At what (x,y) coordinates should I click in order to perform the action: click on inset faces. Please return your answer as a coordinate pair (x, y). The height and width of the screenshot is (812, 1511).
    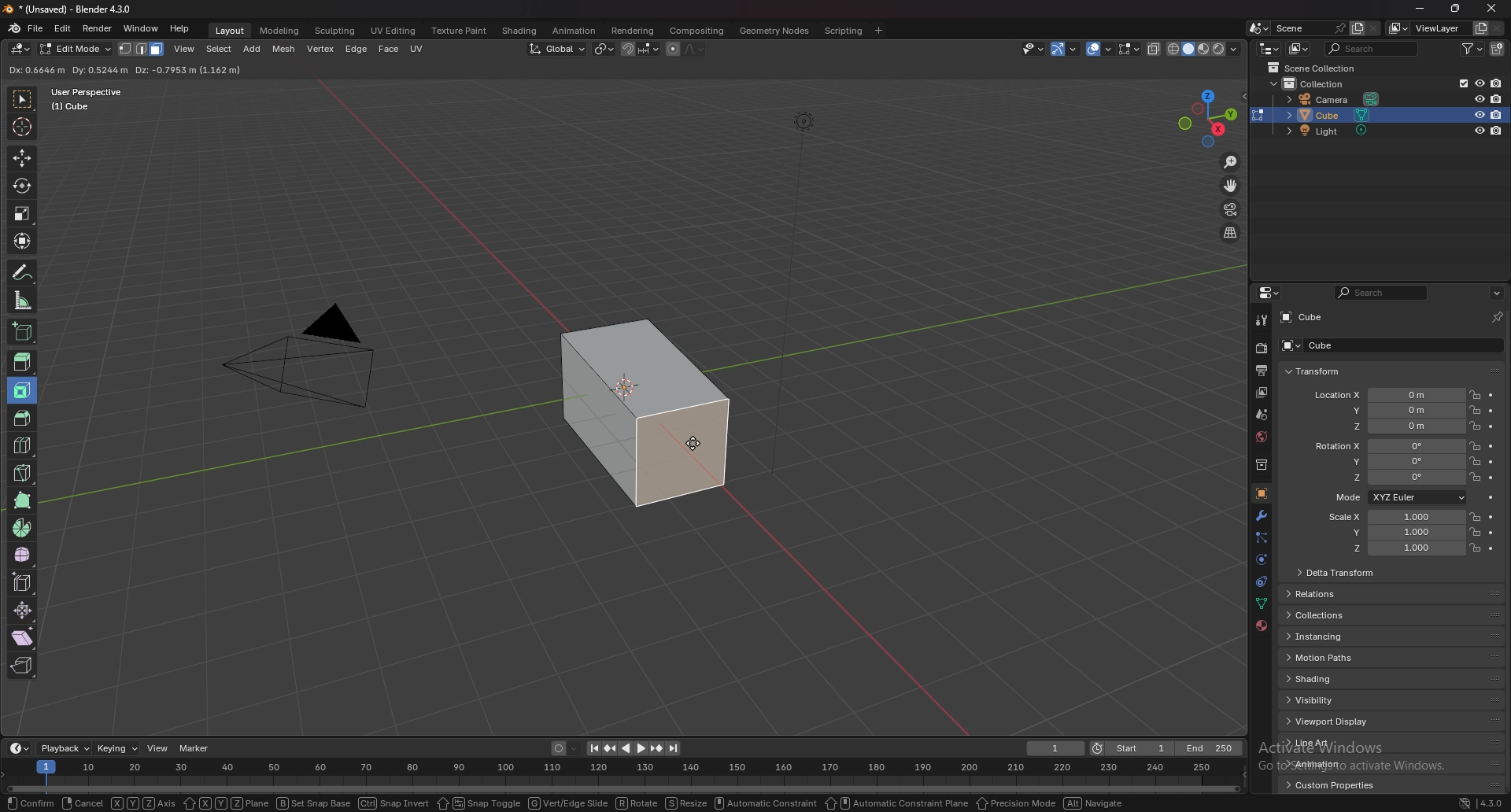
    Looking at the image, I should click on (23, 391).